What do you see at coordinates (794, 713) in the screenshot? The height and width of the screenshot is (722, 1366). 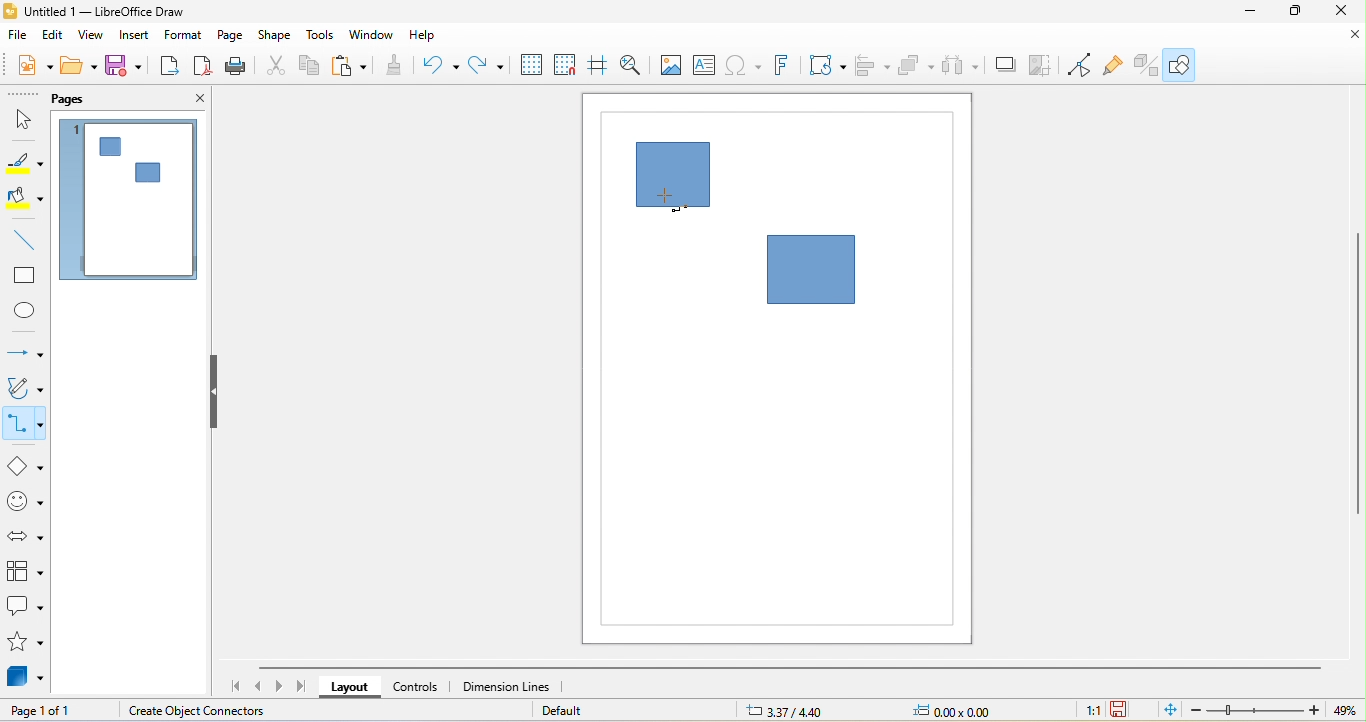 I see `3.37/4.40` at bounding box center [794, 713].